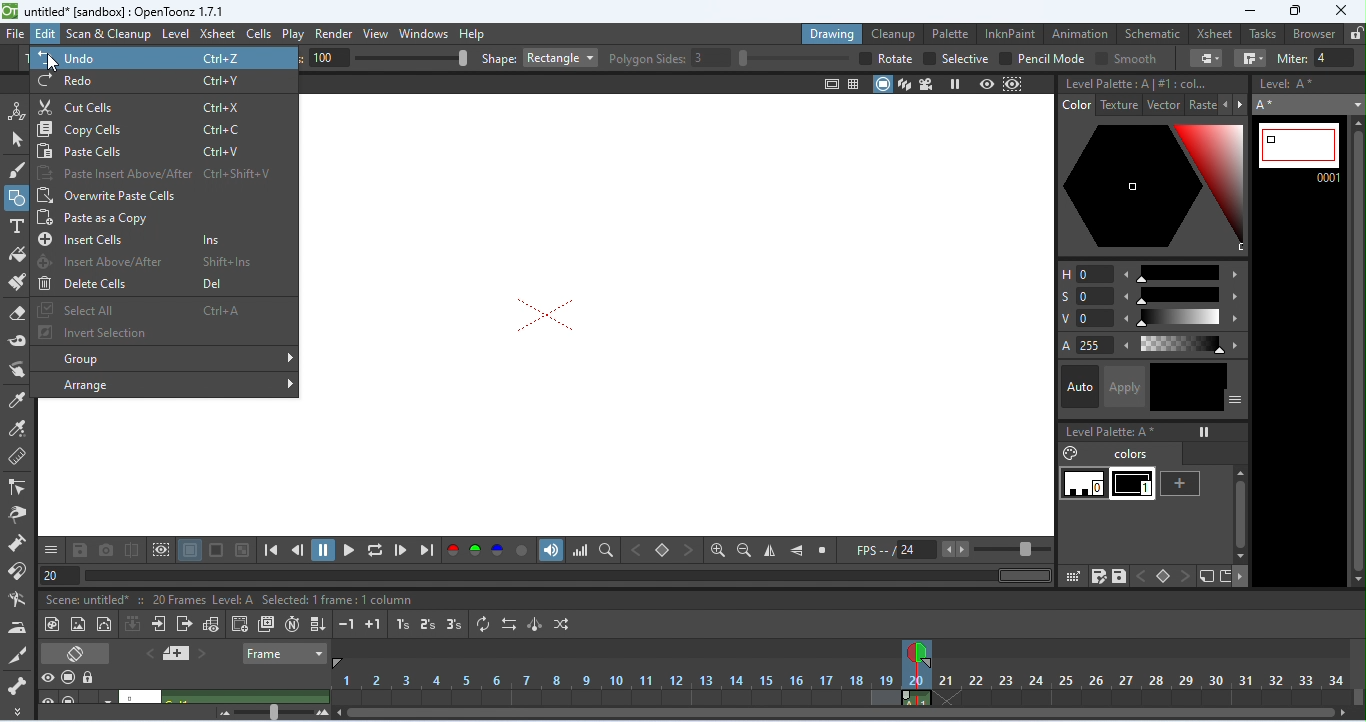 Image resolution: width=1366 pixels, height=722 pixels. Describe the element at coordinates (149, 283) in the screenshot. I see `delete cells` at that location.